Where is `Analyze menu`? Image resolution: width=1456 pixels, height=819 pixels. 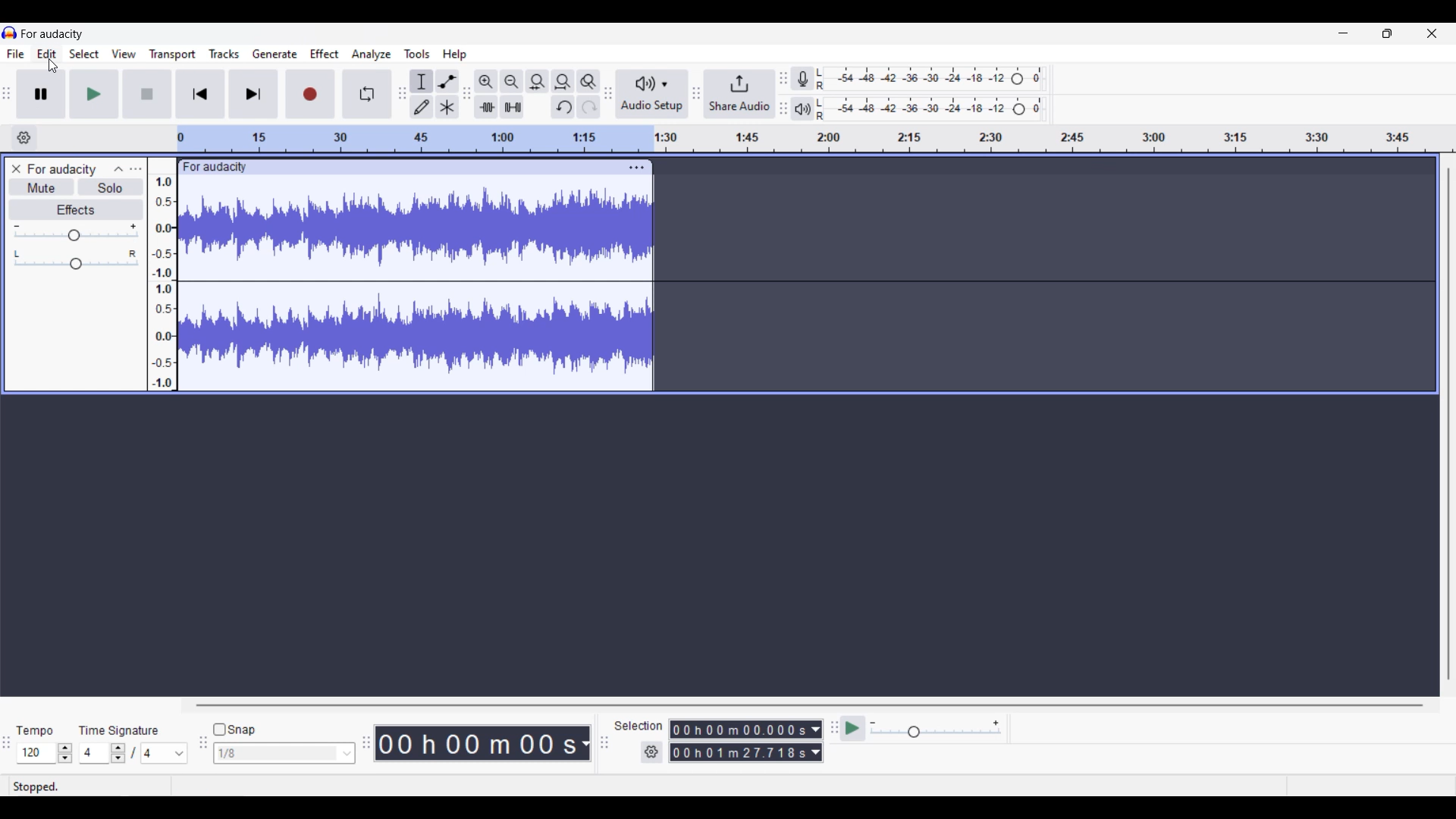 Analyze menu is located at coordinates (372, 55).